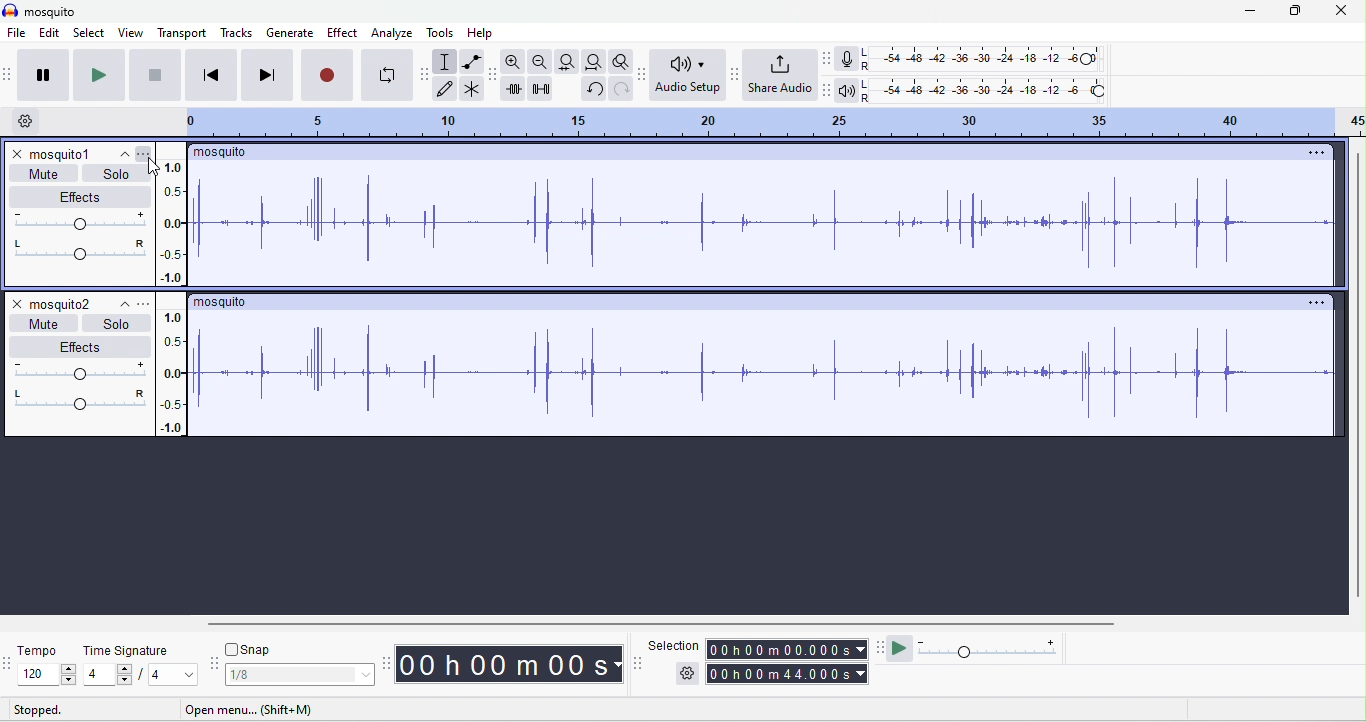  Describe the element at coordinates (426, 74) in the screenshot. I see `audacity tools tool bar` at that location.